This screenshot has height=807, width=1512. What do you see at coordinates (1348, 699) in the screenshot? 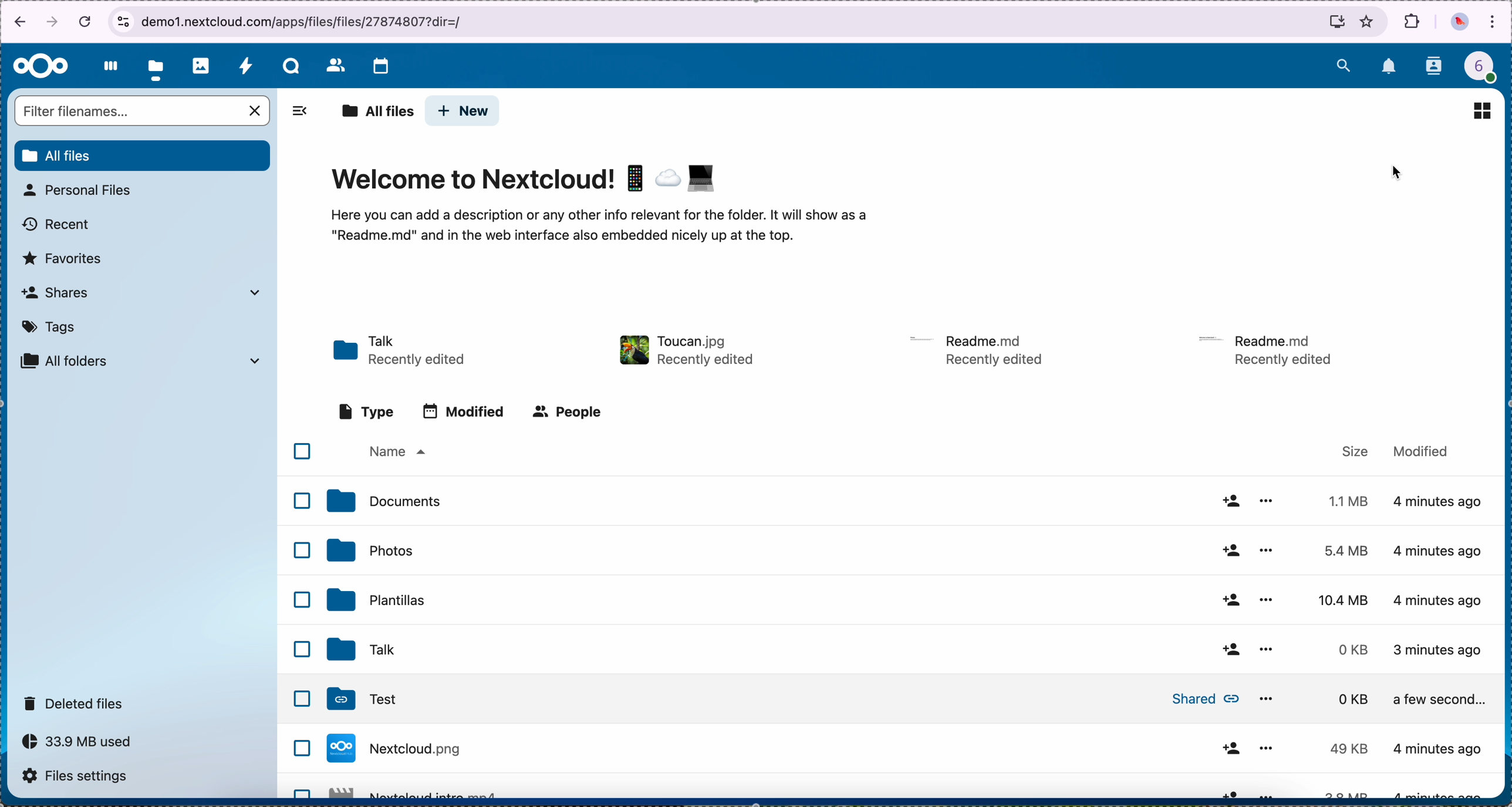
I see `49 KB` at bounding box center [1348, 699].